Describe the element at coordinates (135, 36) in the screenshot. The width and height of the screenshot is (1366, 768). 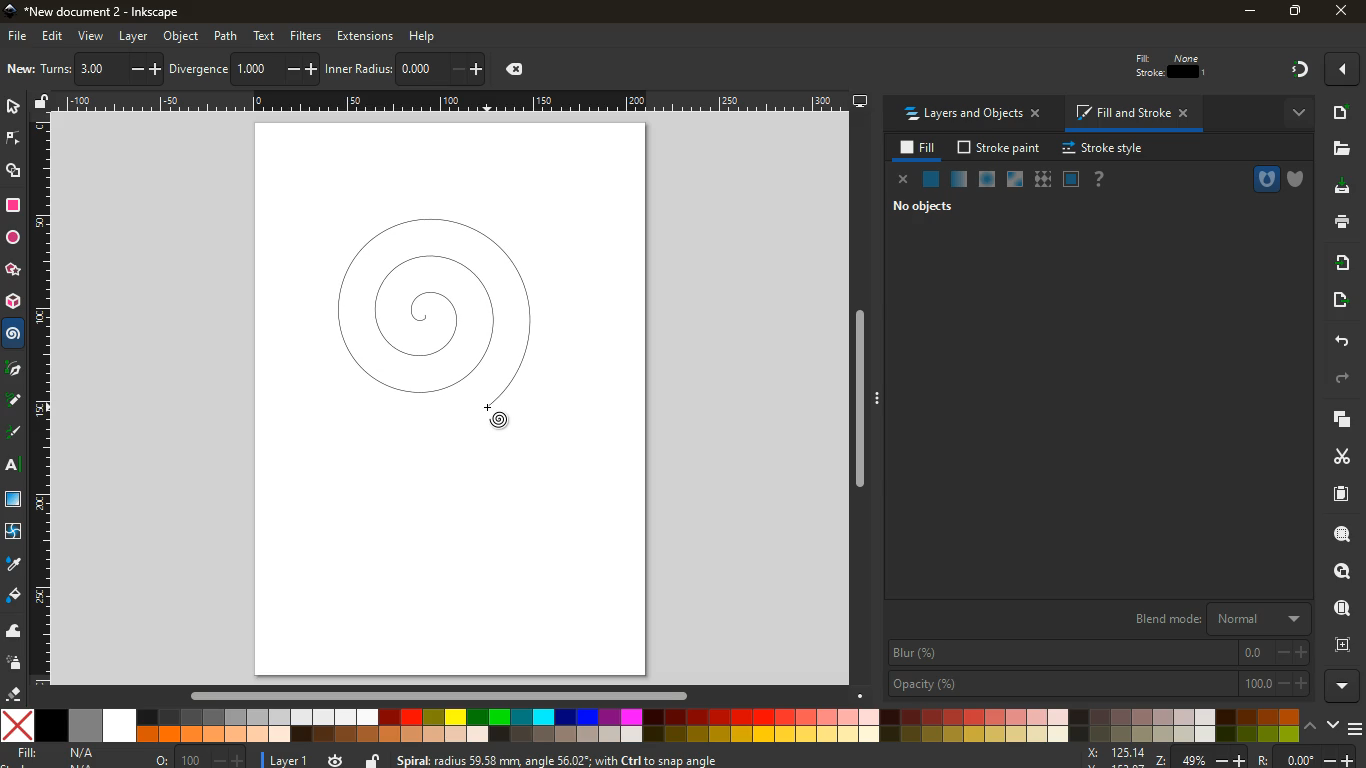
I see `layer` at that location.